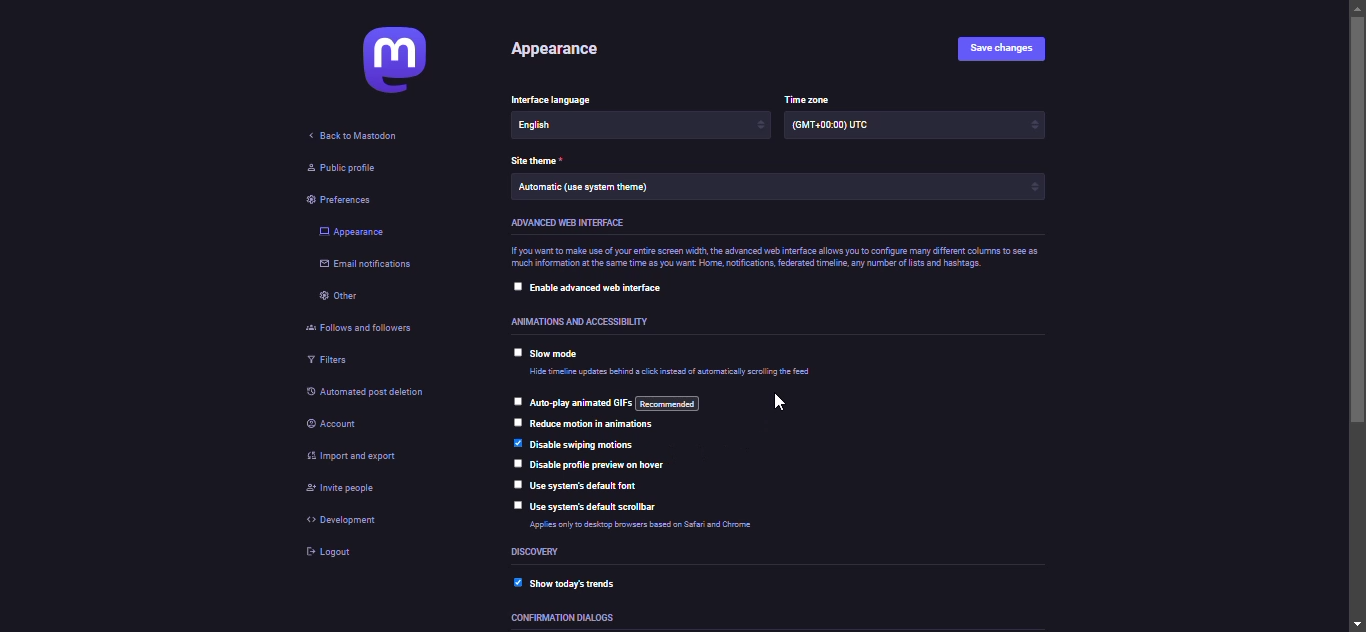 The height and width of the screenshot is (632, 1366). I want to click on mastodon, so click(401, 60).